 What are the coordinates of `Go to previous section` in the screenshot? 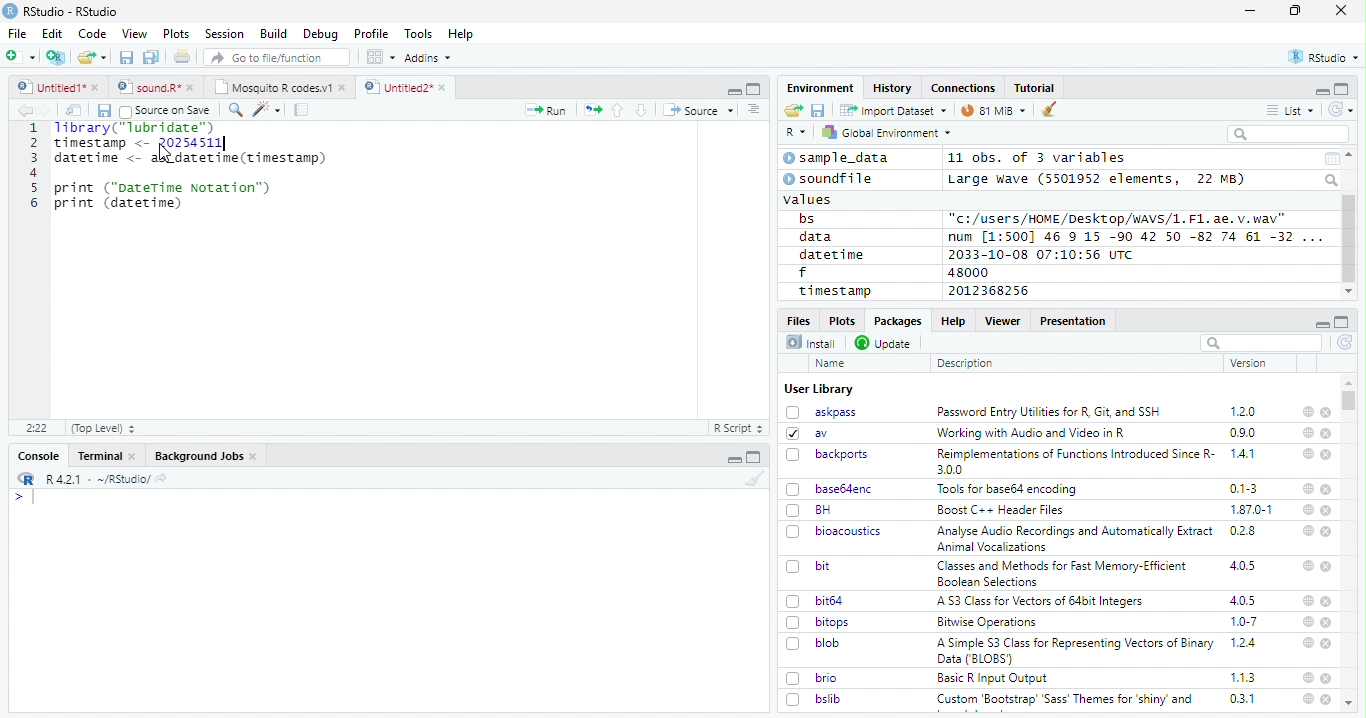 It's located at (619, 110).